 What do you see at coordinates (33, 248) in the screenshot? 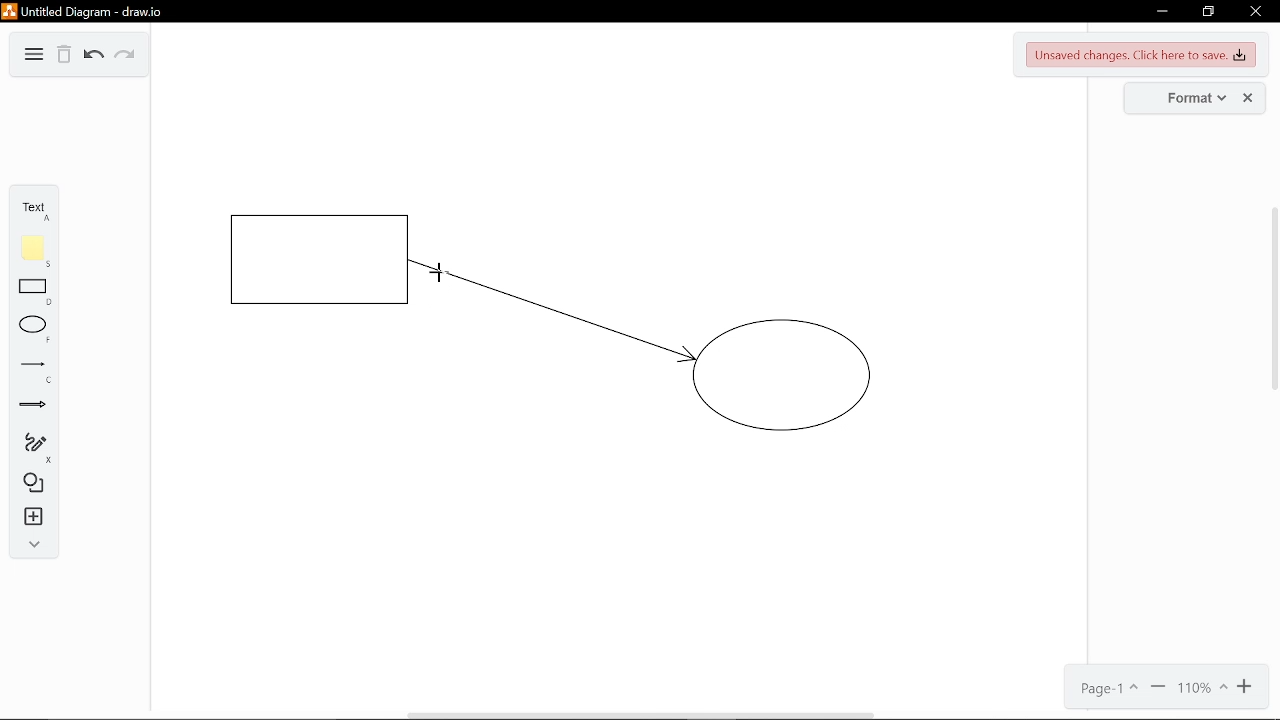
I see `Note` at bounding box center [33, 248].